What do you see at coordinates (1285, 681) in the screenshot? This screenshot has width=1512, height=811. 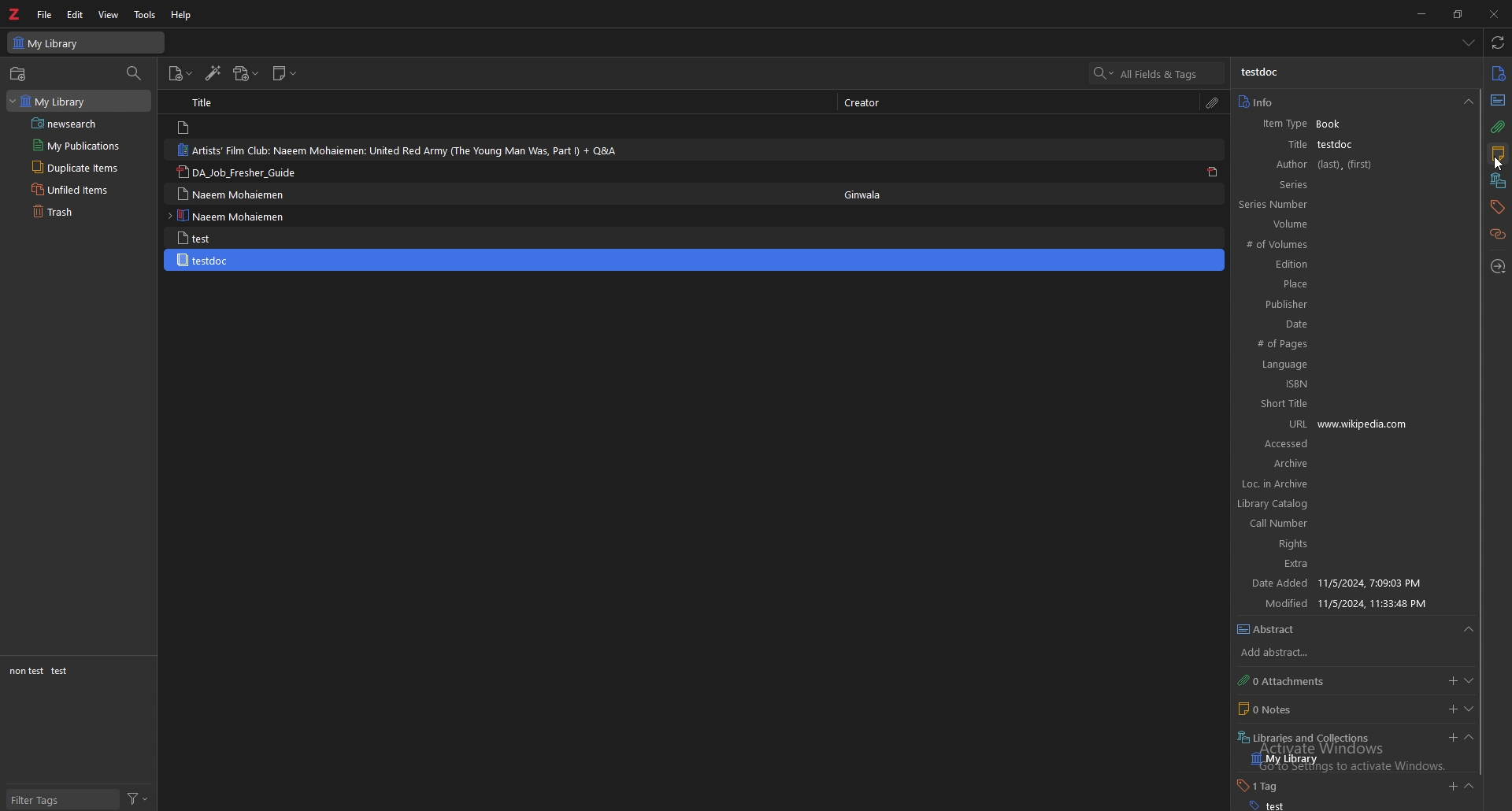 I see `0 attachments` at bounding box center [1285, 681].